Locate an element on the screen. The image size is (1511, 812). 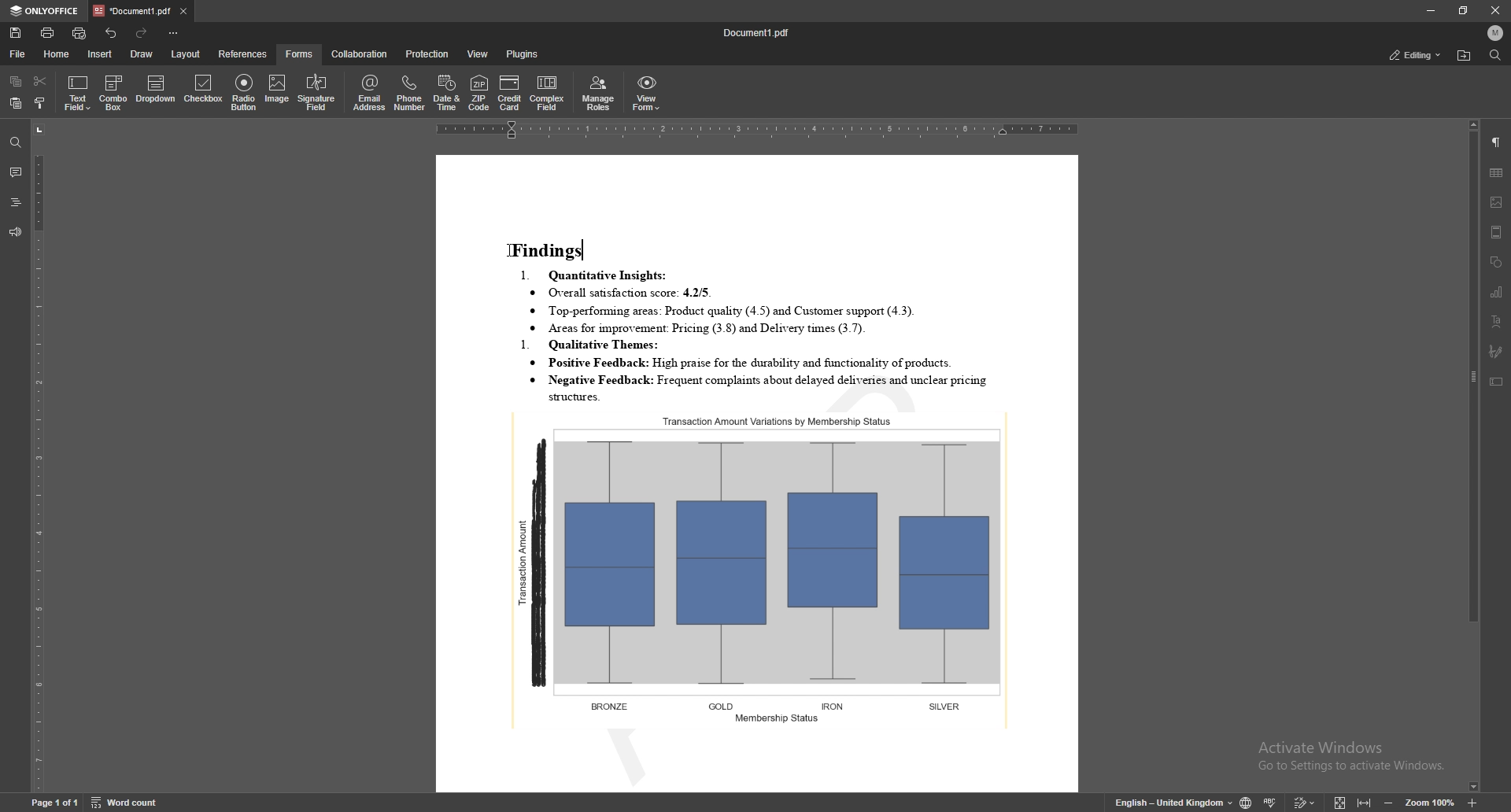
change text language is located at coordinates (1173, 803).